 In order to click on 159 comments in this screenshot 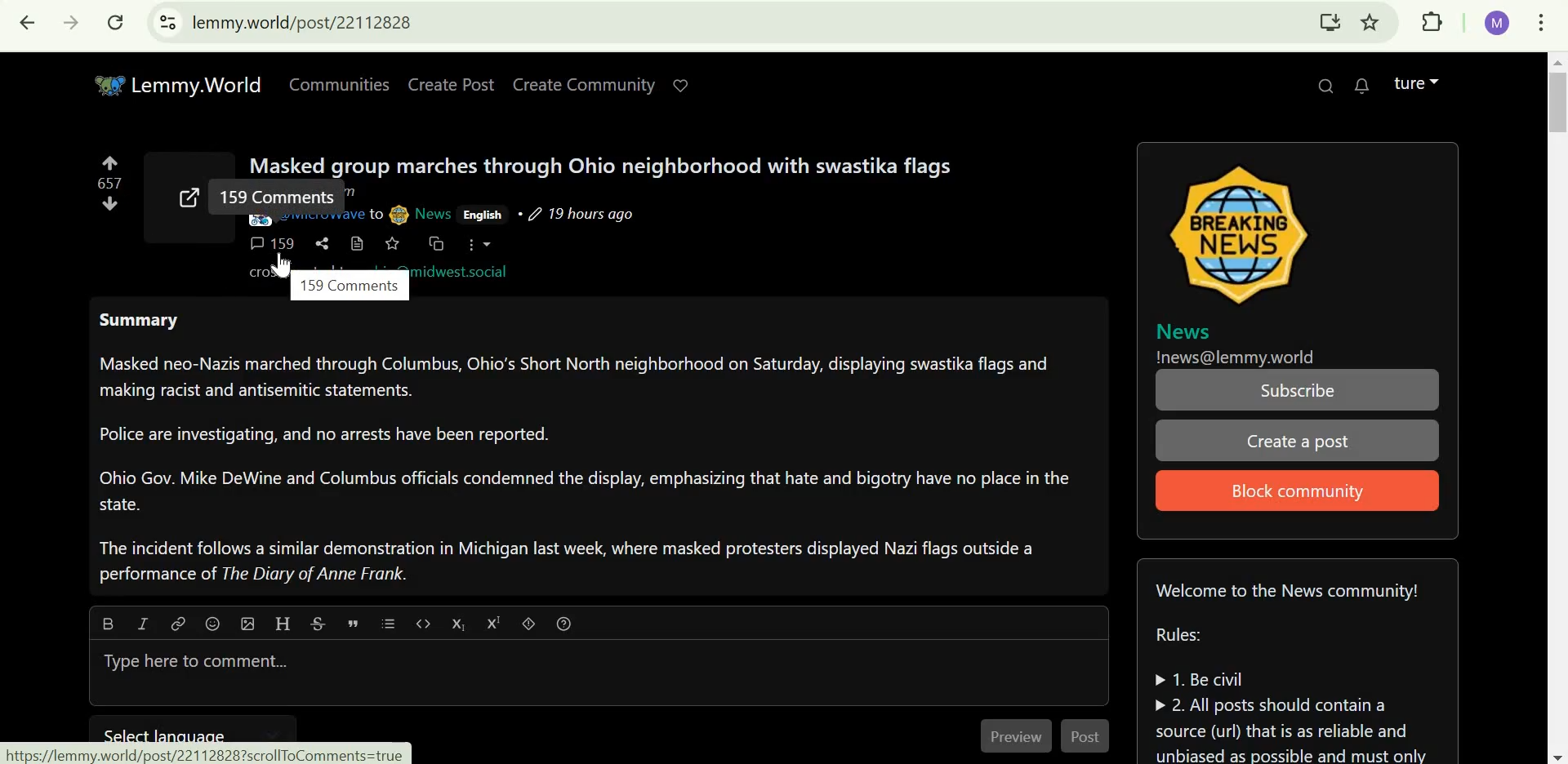, I will do `click(350, 286)`.